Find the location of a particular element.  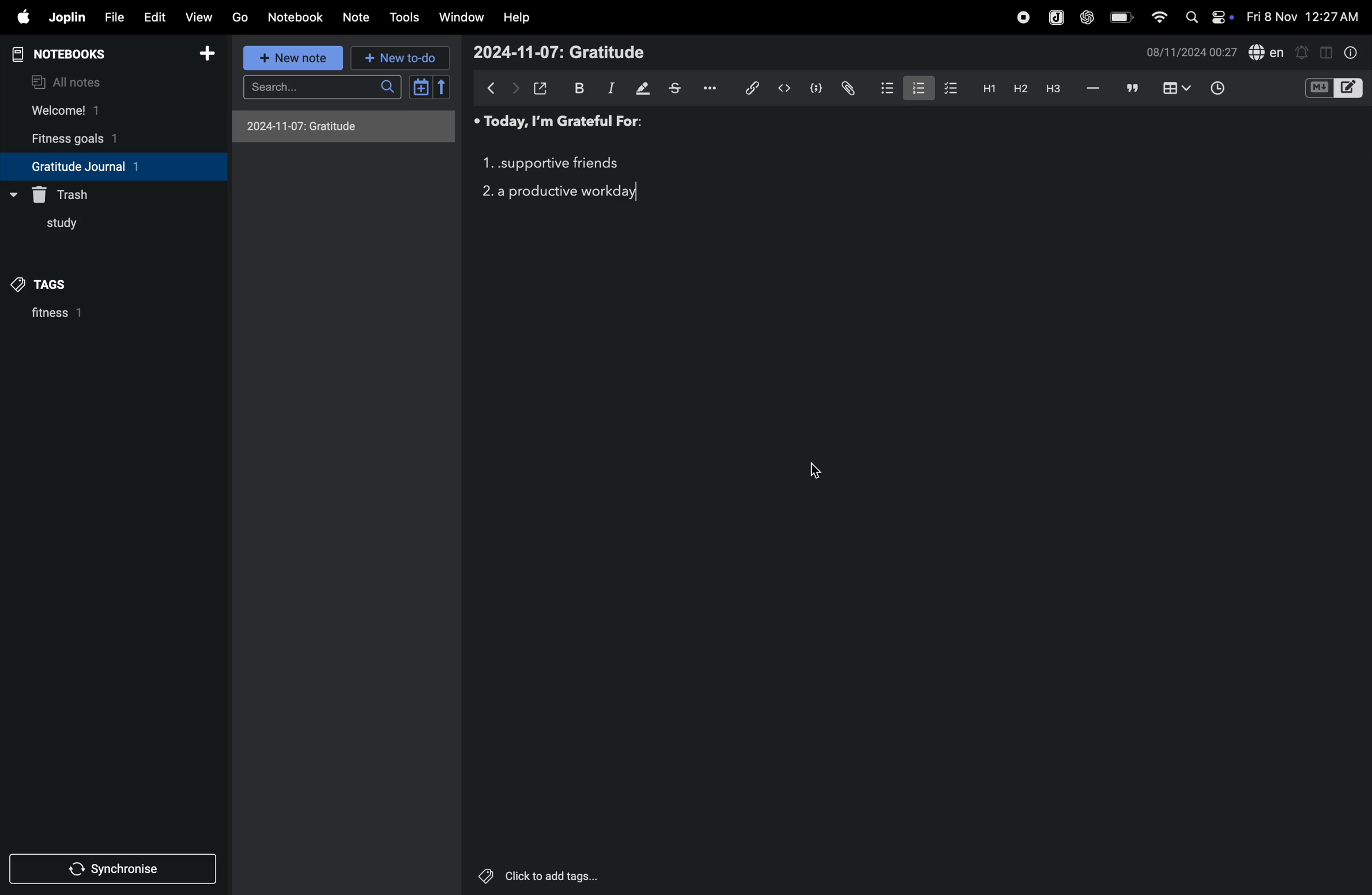

all notes is located at coordinates (70, 81).